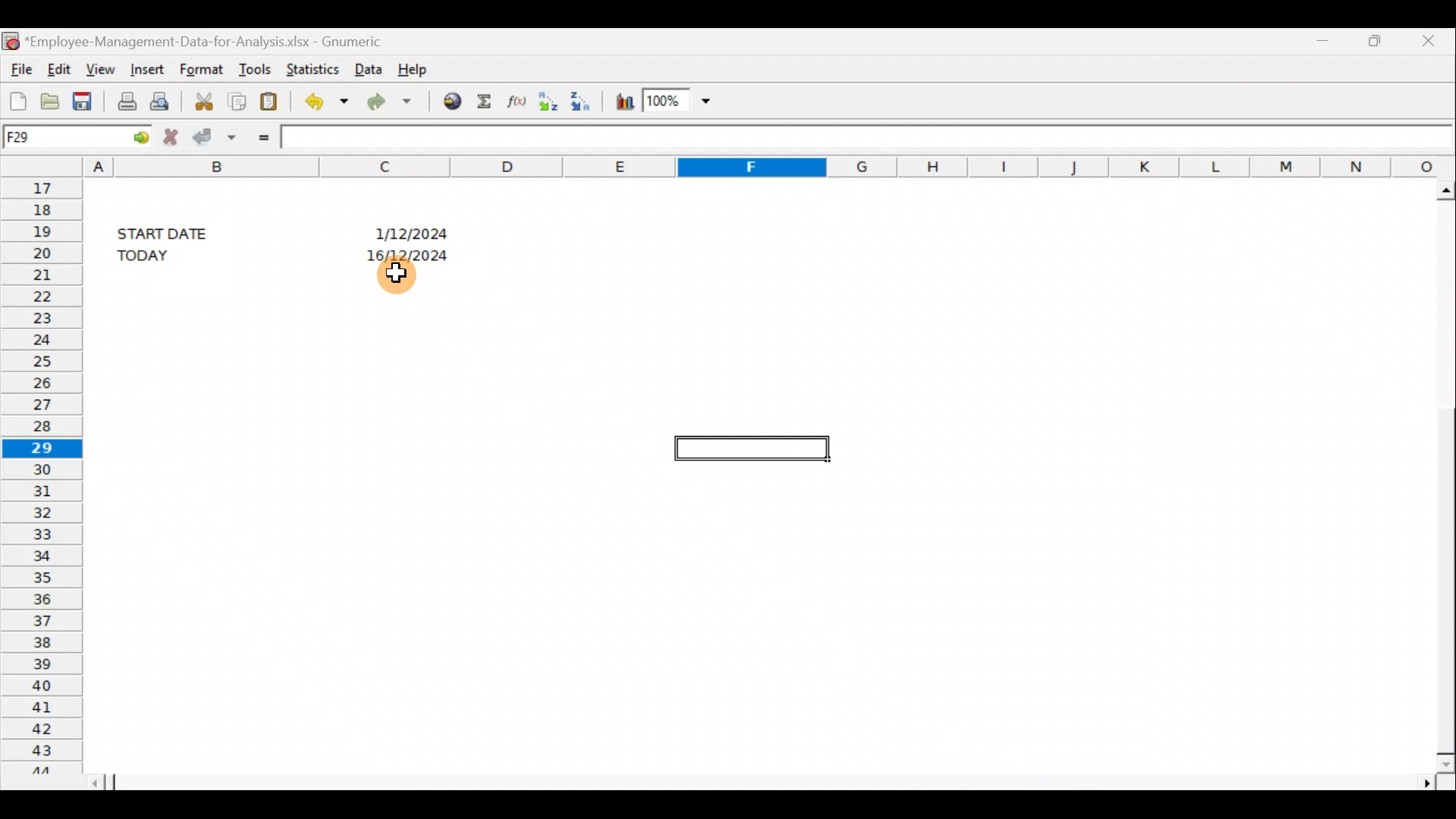 This screenshot has height=819, width=1456. Describe the element at coordinates (1425, 42) in the screenshot. I see `Close` at that location.